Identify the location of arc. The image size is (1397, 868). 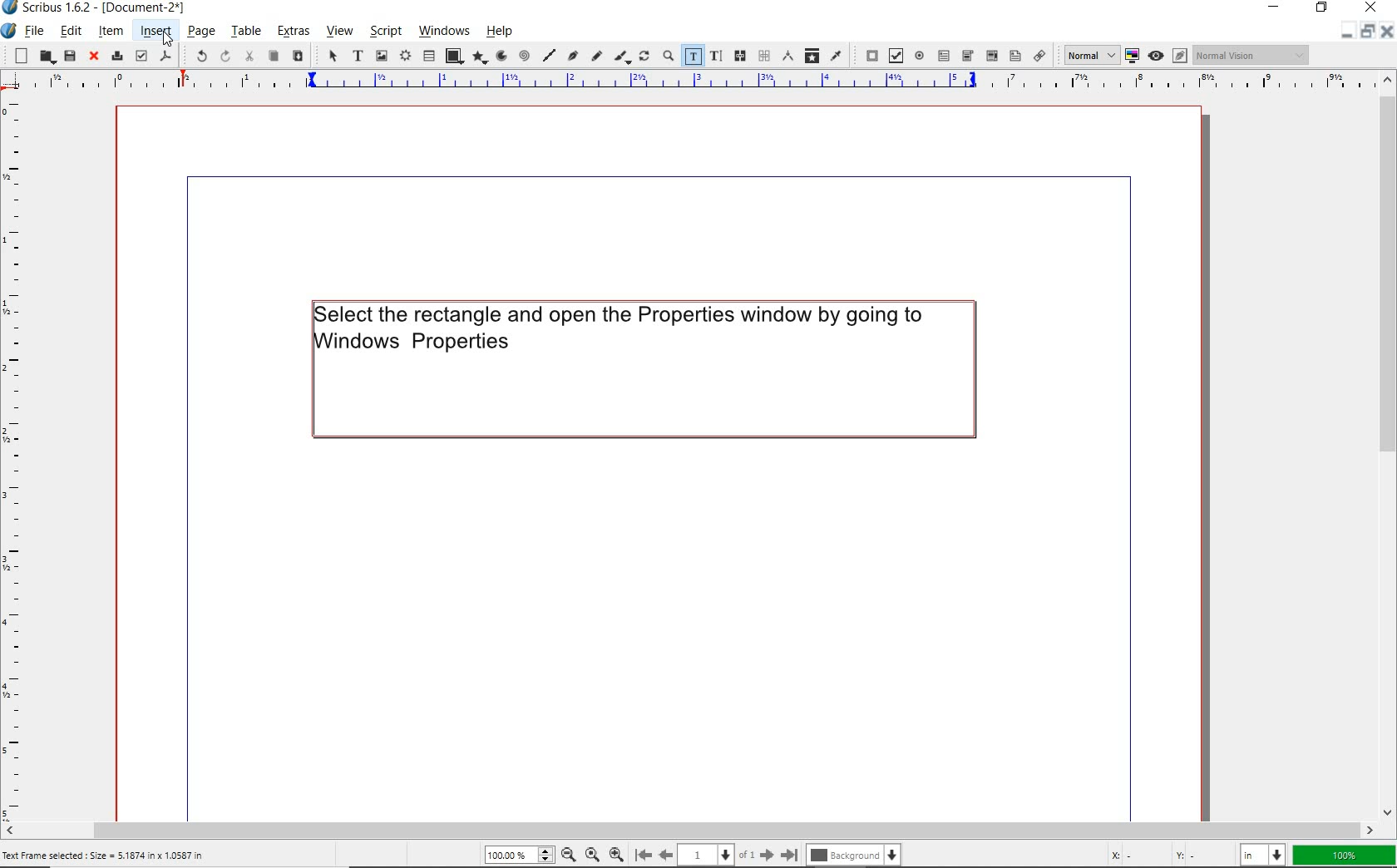
(501, 56).